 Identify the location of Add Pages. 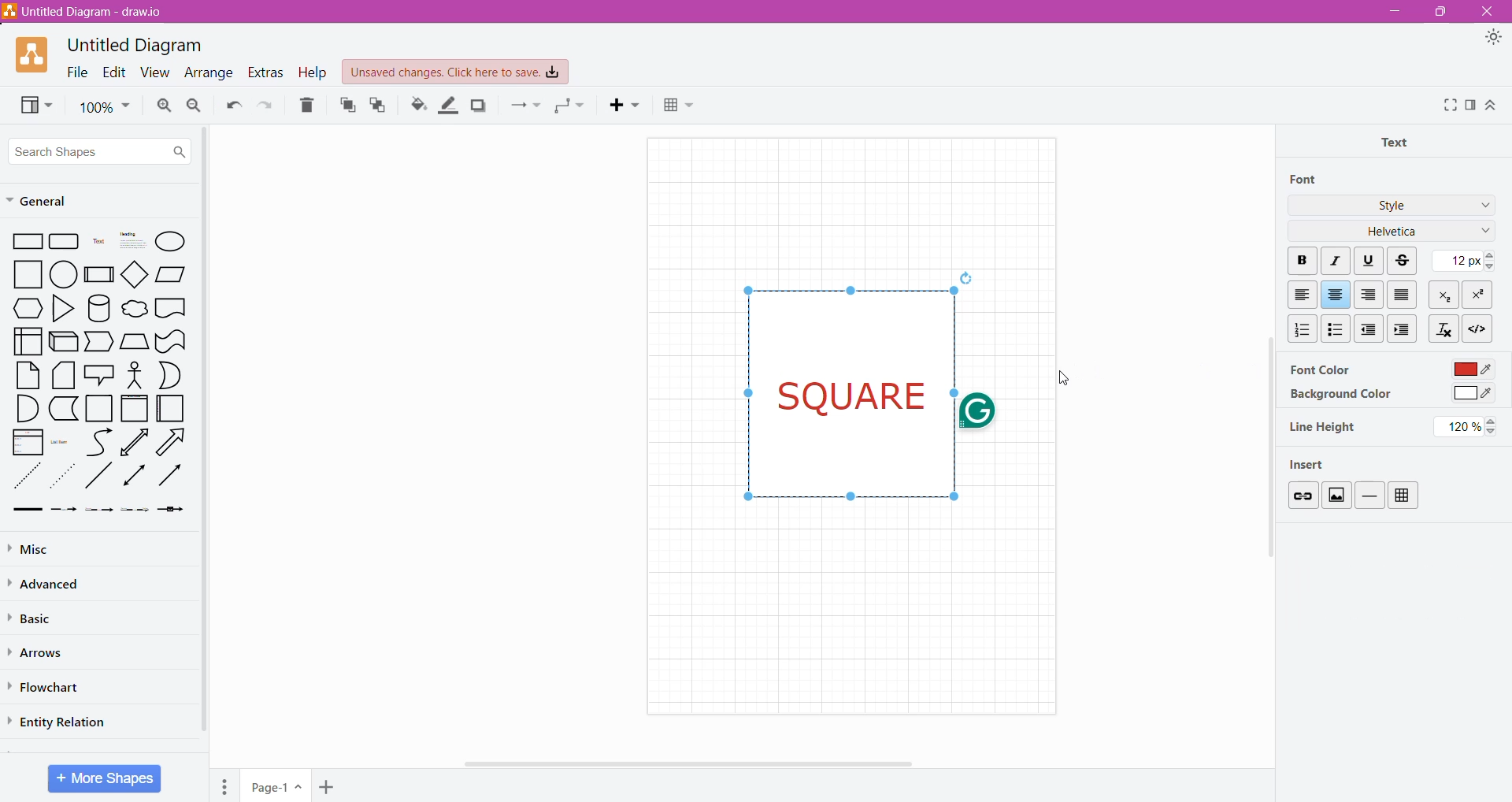
(328, 788).